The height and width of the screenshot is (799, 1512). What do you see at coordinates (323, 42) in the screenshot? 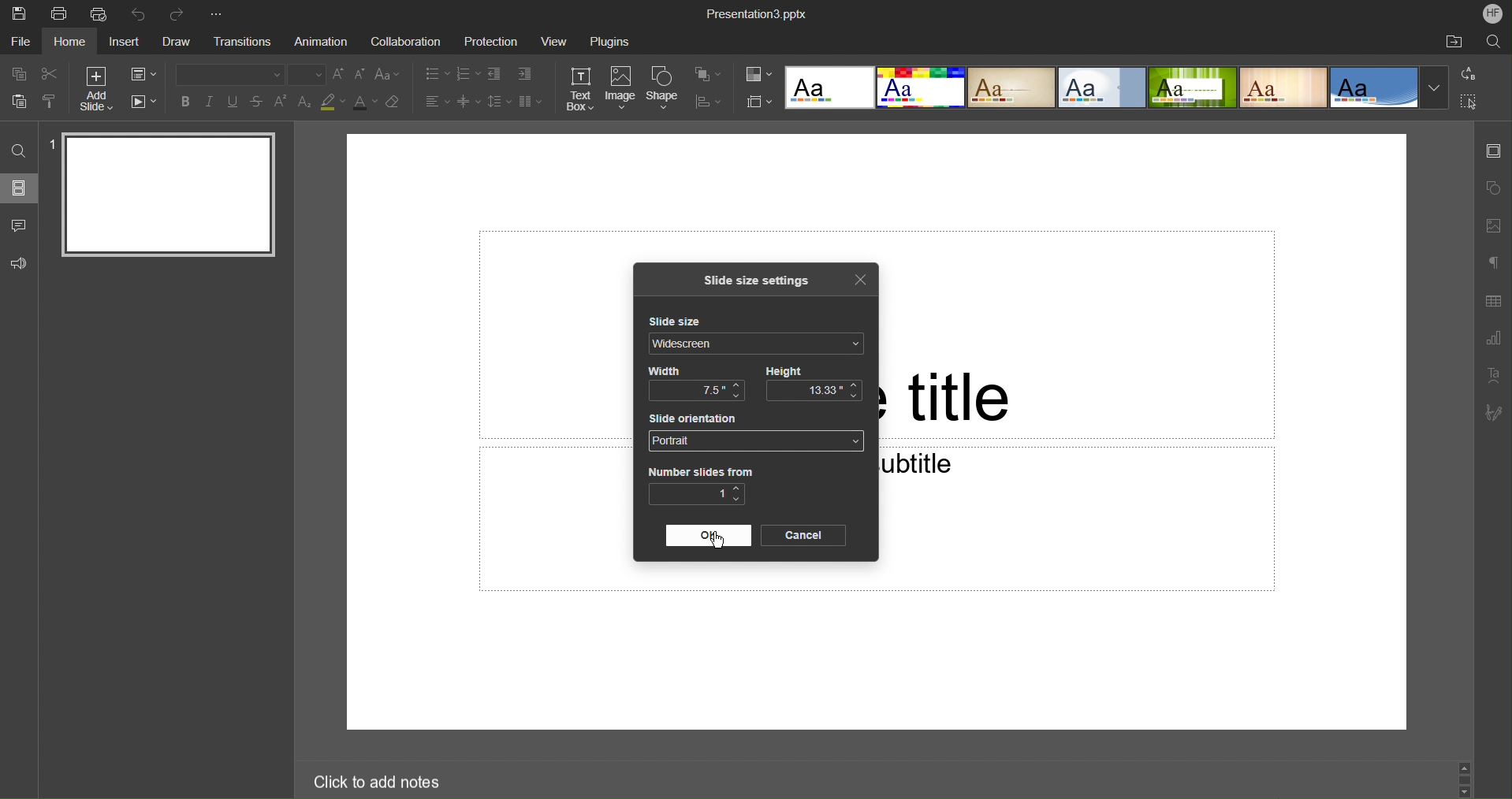
I see `Animation` at bounding box center [323, 42].